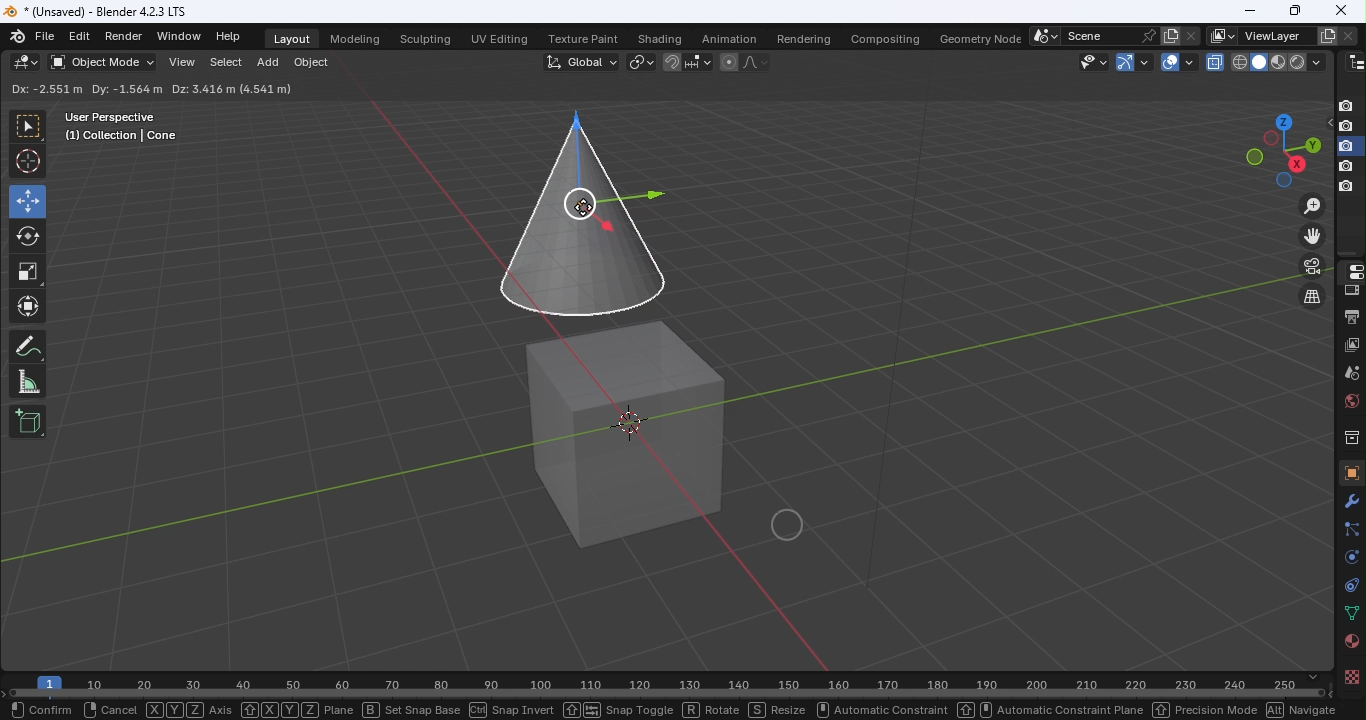 Image resolution: width=1366 pixels, height=720 pixels. What do you see at coordinates (178, 36) in the screenshot?
I see `Window` at bounding box center [178, 36].